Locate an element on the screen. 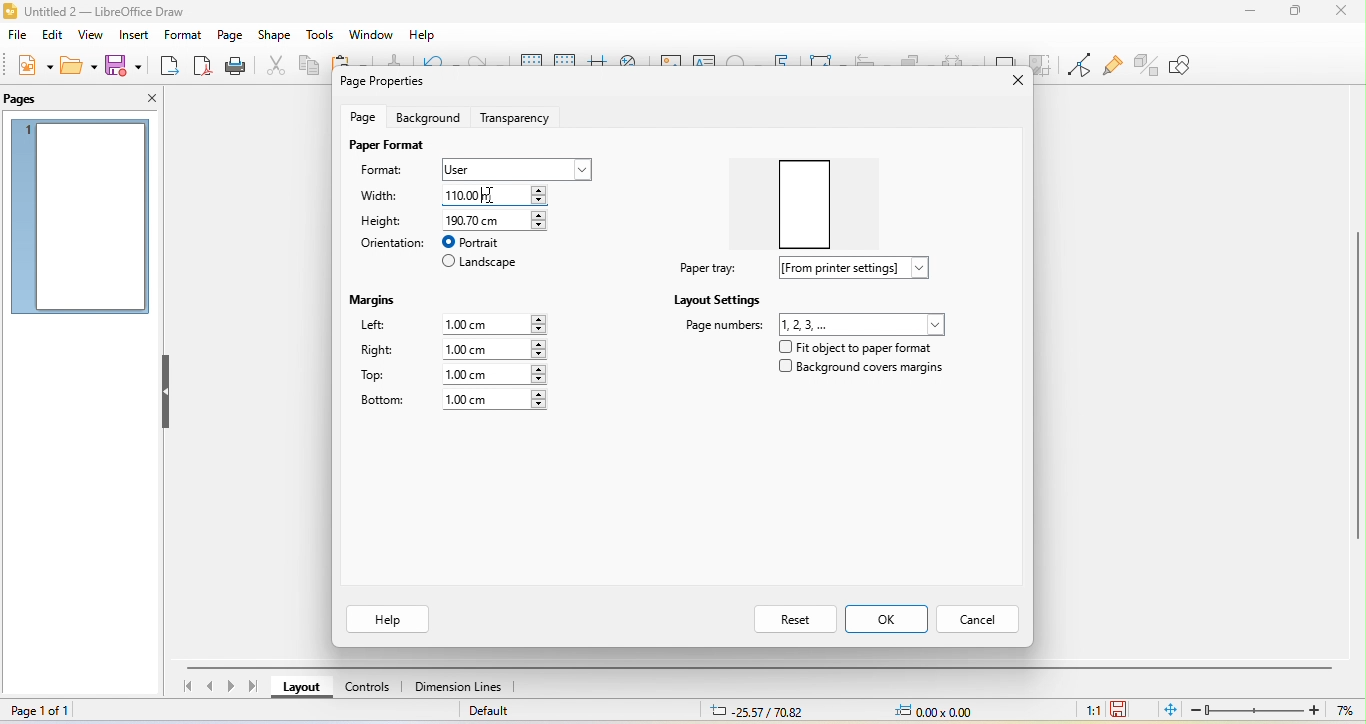 The image size is (1366, 724). insert is located at coordinates (132, 36).